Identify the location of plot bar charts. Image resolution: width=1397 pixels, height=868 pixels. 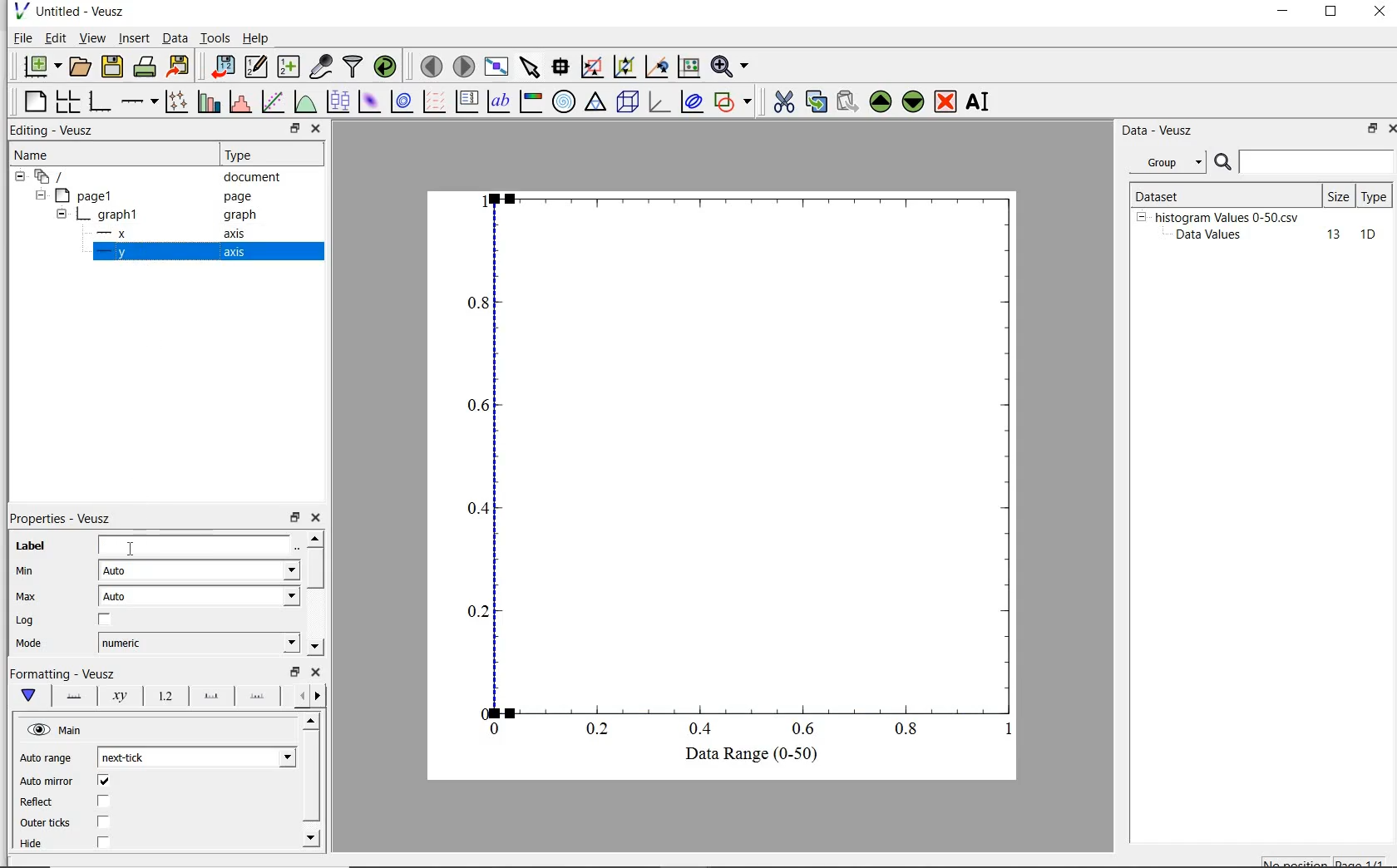
(209, 101).